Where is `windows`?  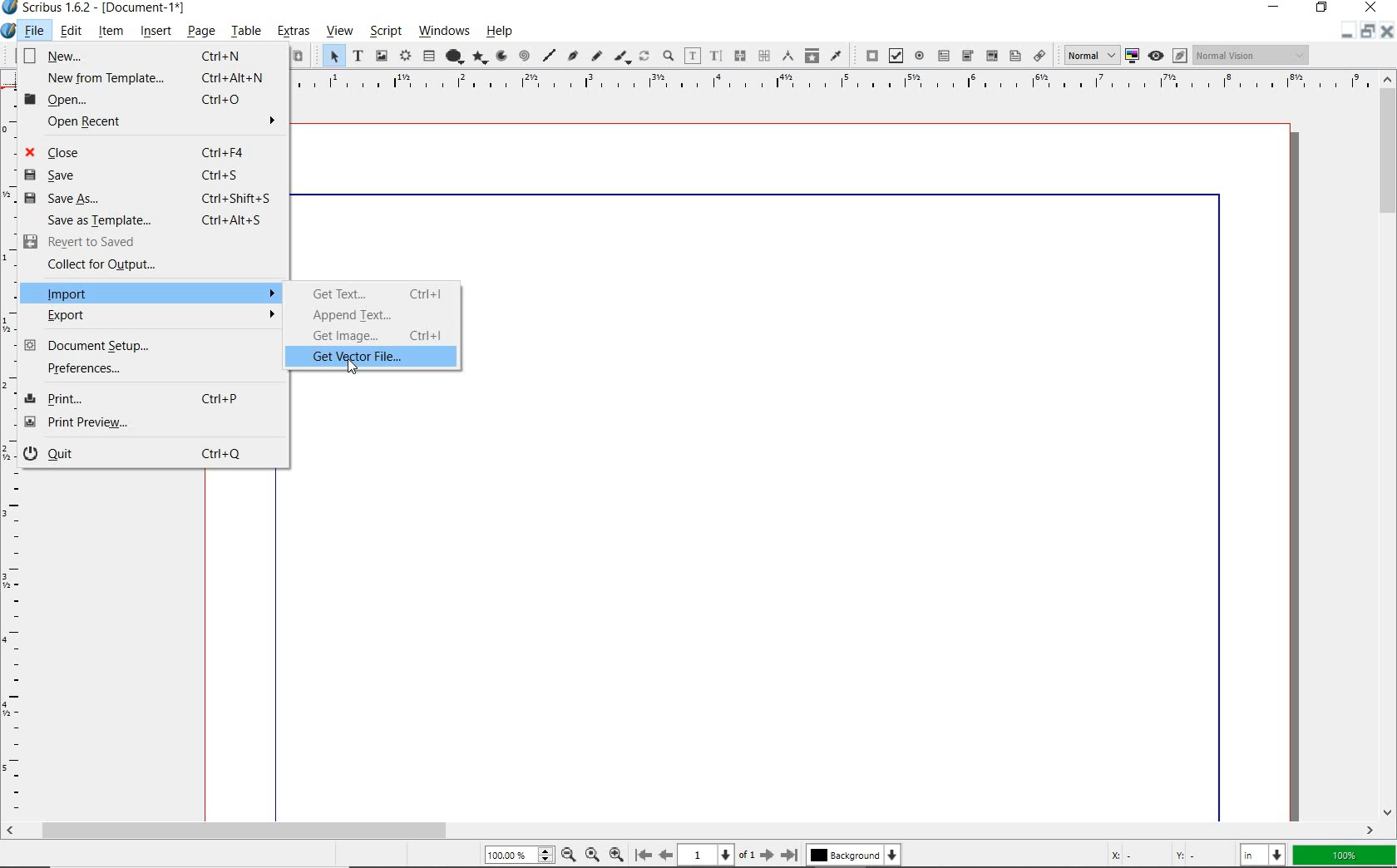
windows is located at coordinates (443, 30).